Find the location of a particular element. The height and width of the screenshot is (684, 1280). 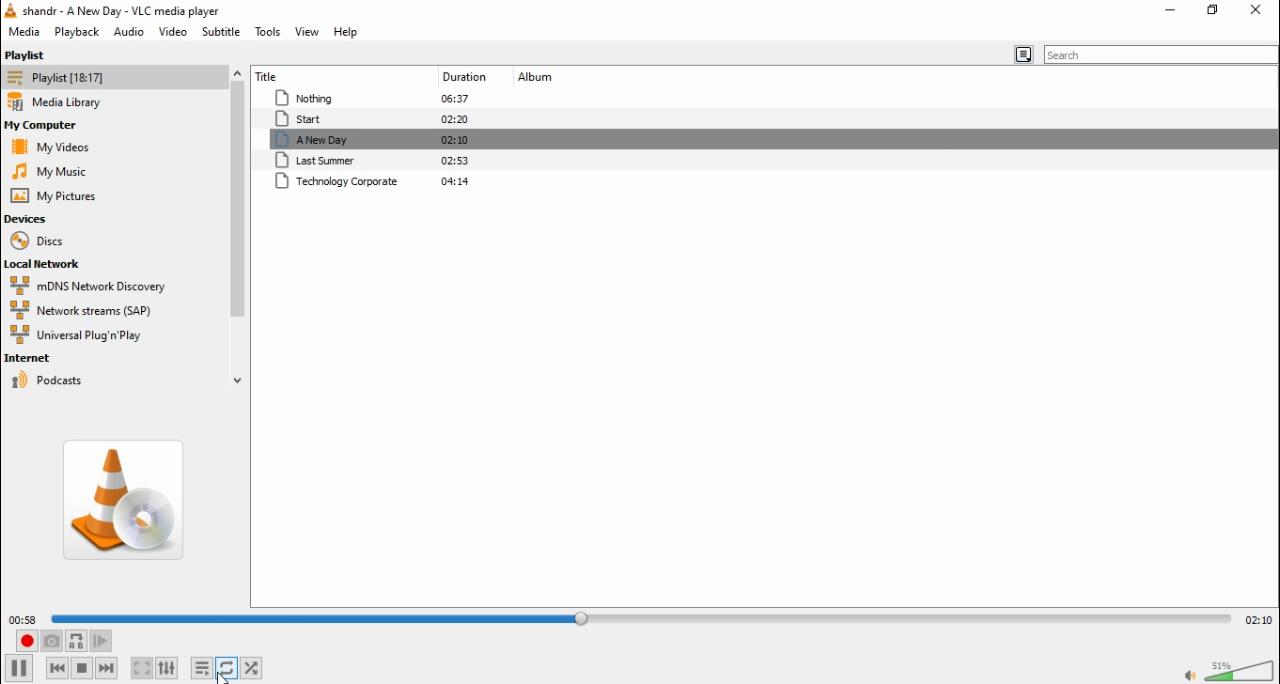

shandr - A New Day - VLC media player is located at coordinates (130, 11).